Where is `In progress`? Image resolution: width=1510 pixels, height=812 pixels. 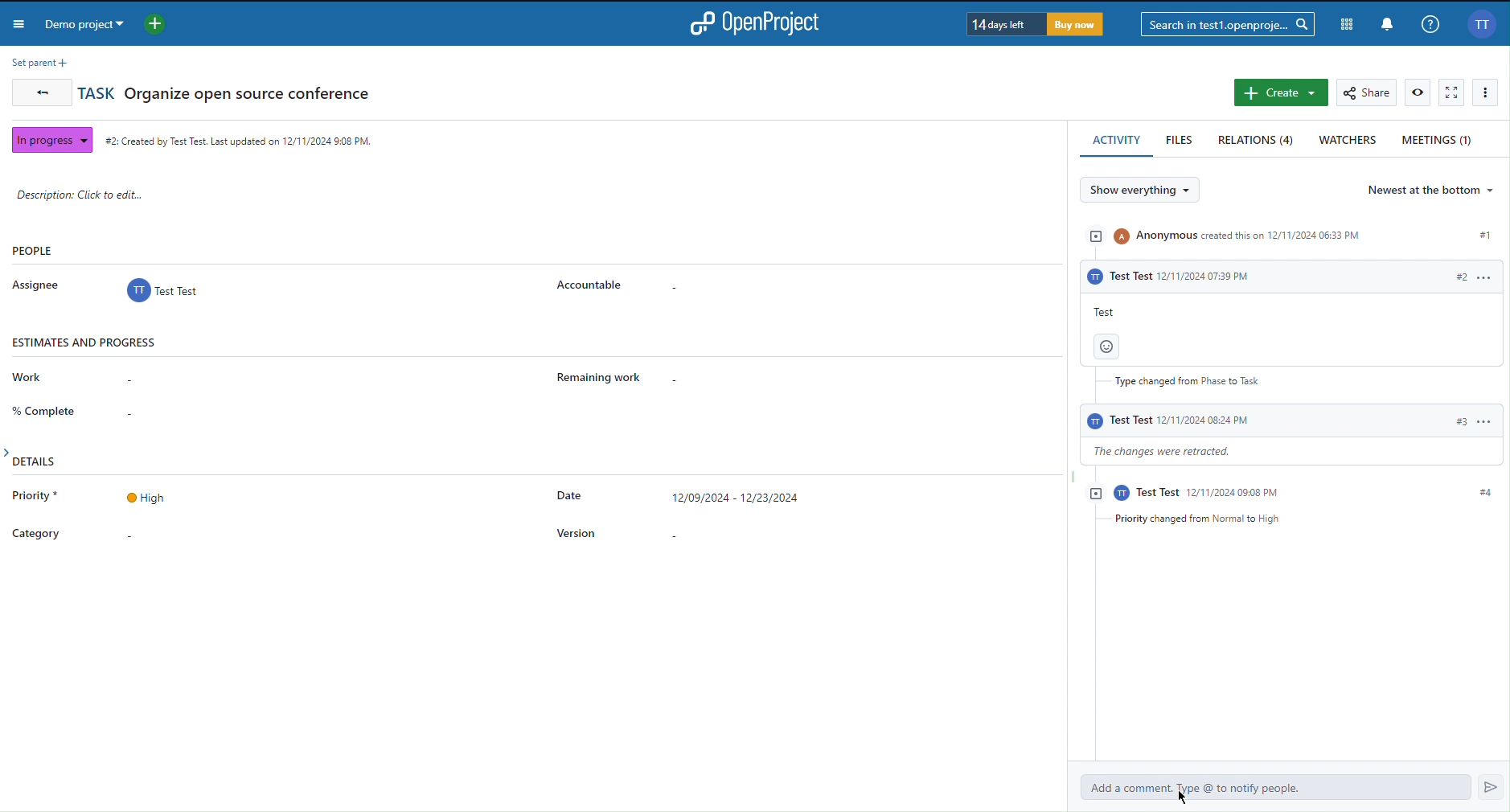 In progress is located at coordinates (49, 138).